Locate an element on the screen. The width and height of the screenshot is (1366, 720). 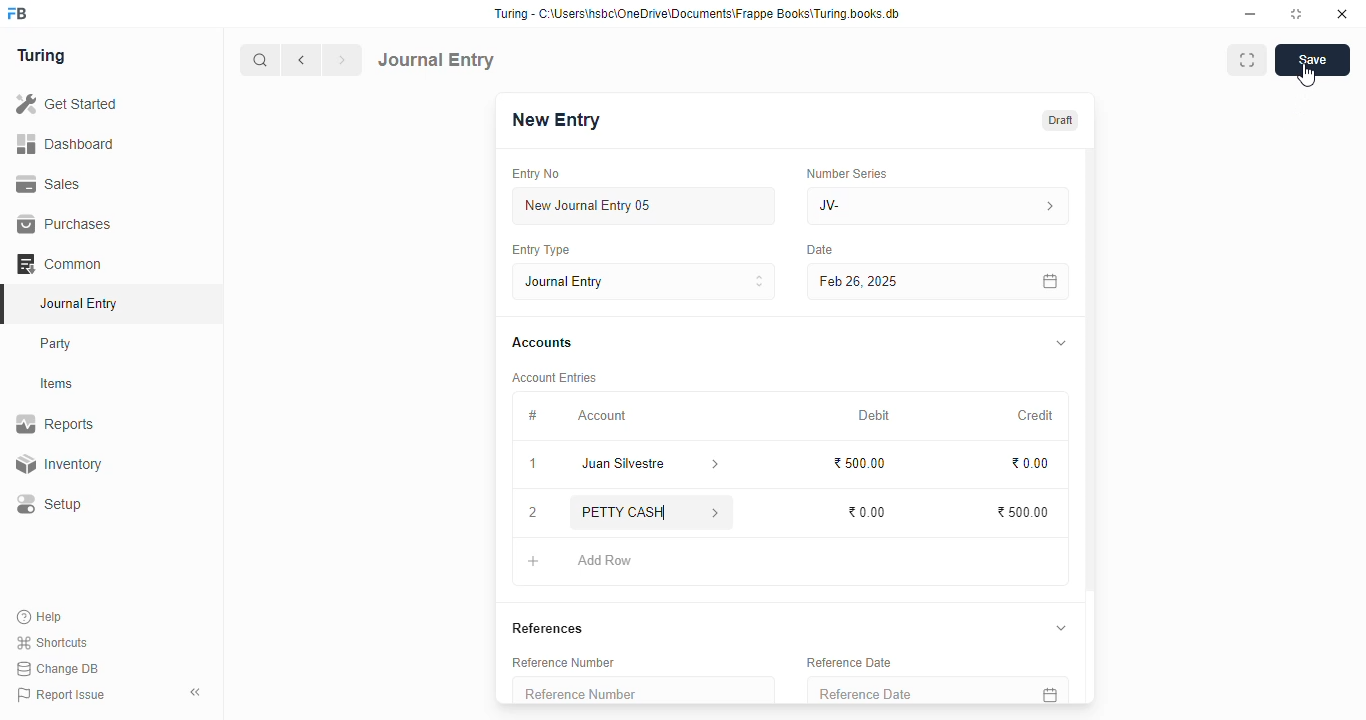
cursor is located at coordinates (1307, 75).